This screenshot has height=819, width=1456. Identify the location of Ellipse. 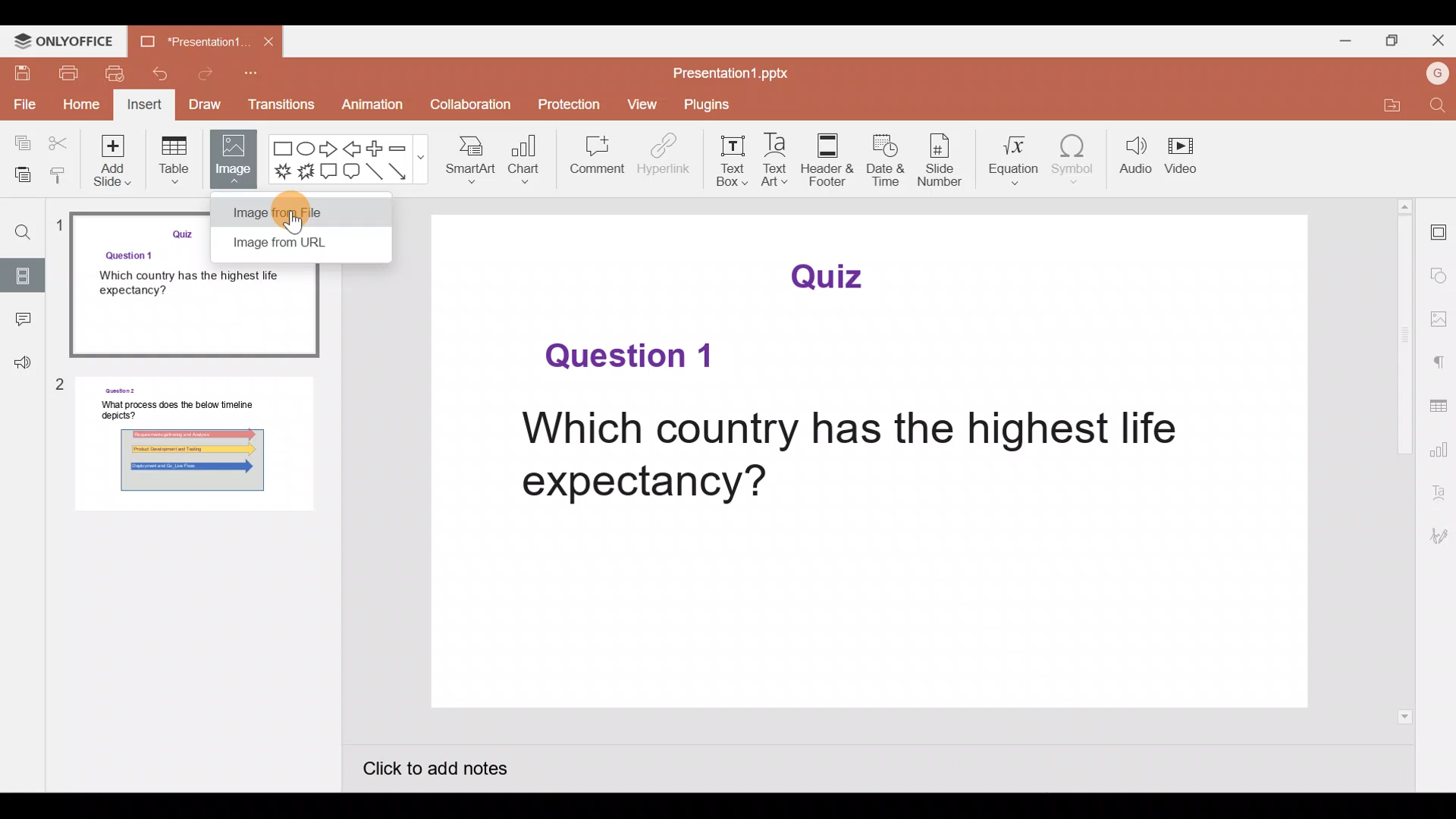
(306, 148).